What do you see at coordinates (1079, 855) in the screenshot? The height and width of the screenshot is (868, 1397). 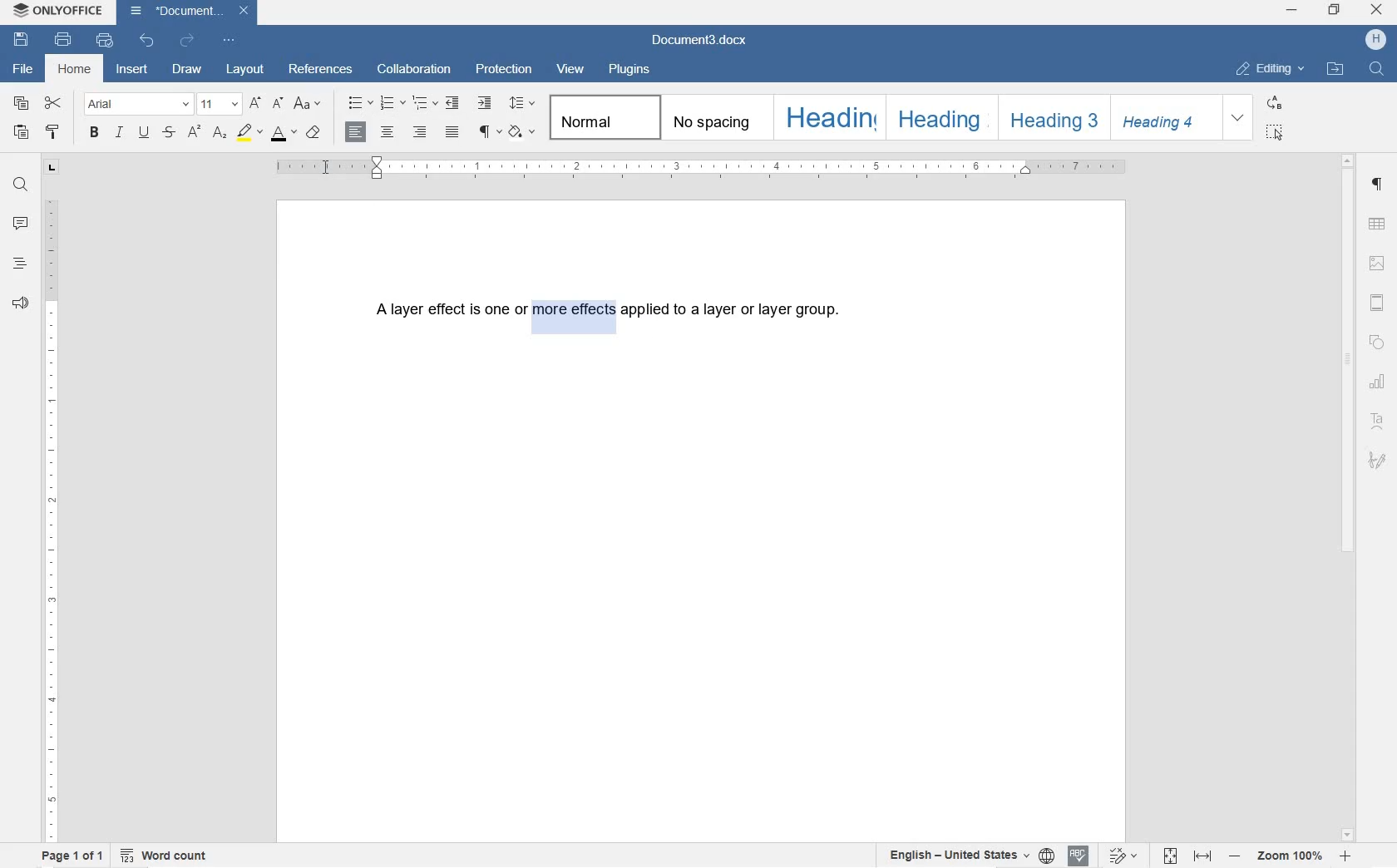 I see `SPELL CHECKING` at bounding box center [1079, 855].